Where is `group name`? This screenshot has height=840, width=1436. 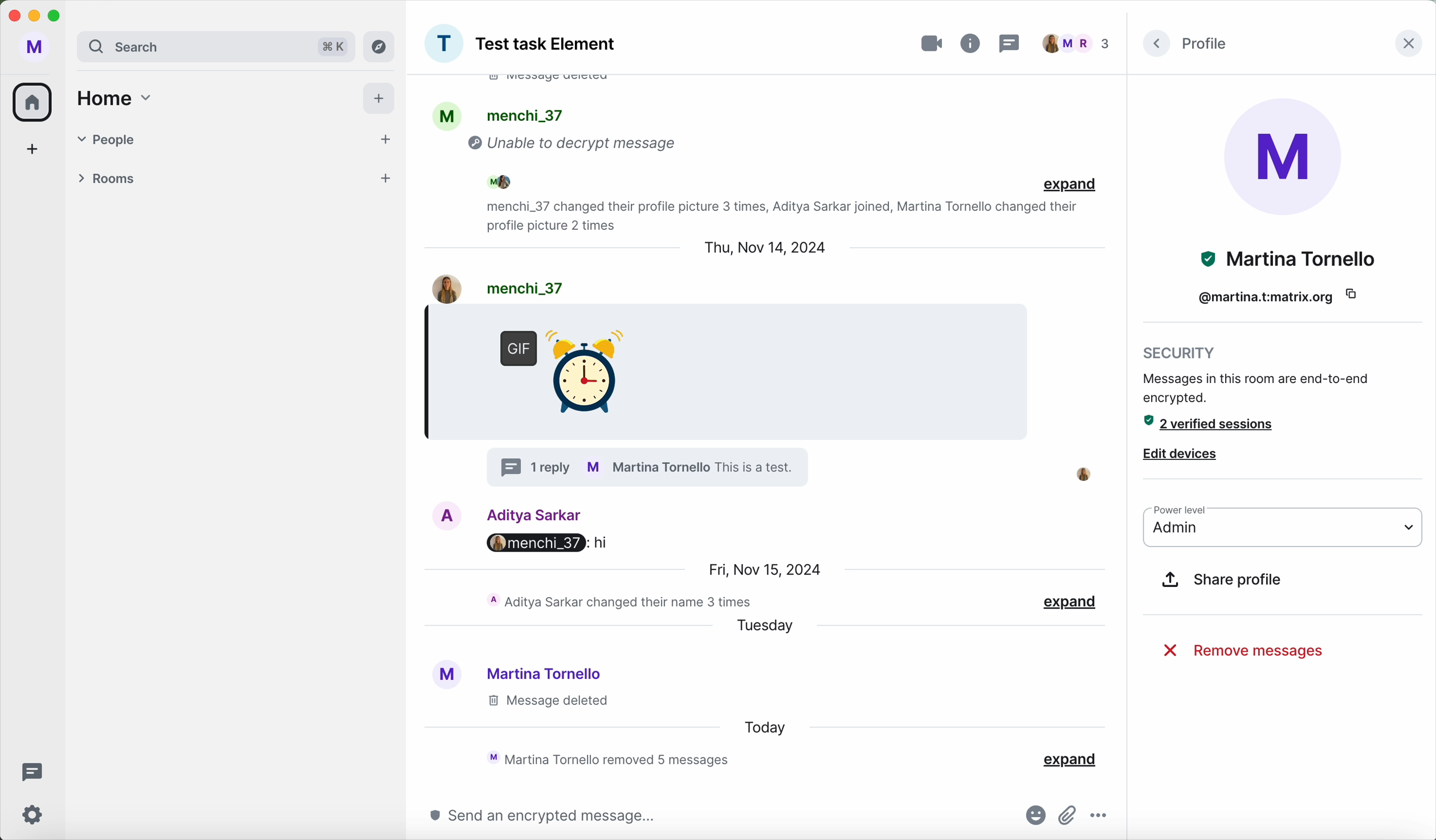 group name is located at coordinates (548, 46).